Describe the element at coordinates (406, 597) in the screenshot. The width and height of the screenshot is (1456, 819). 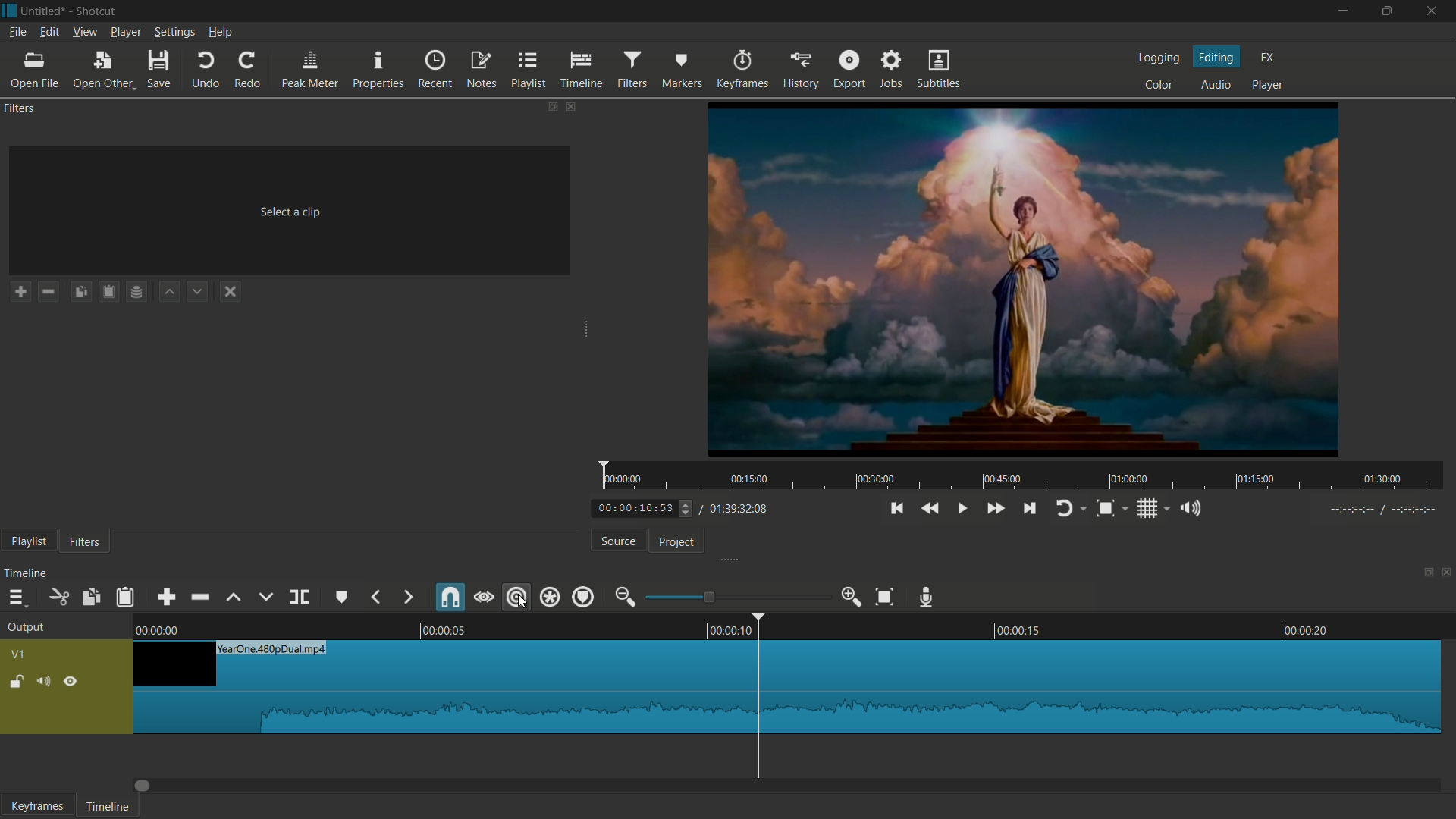
I see `next markers` at that location.